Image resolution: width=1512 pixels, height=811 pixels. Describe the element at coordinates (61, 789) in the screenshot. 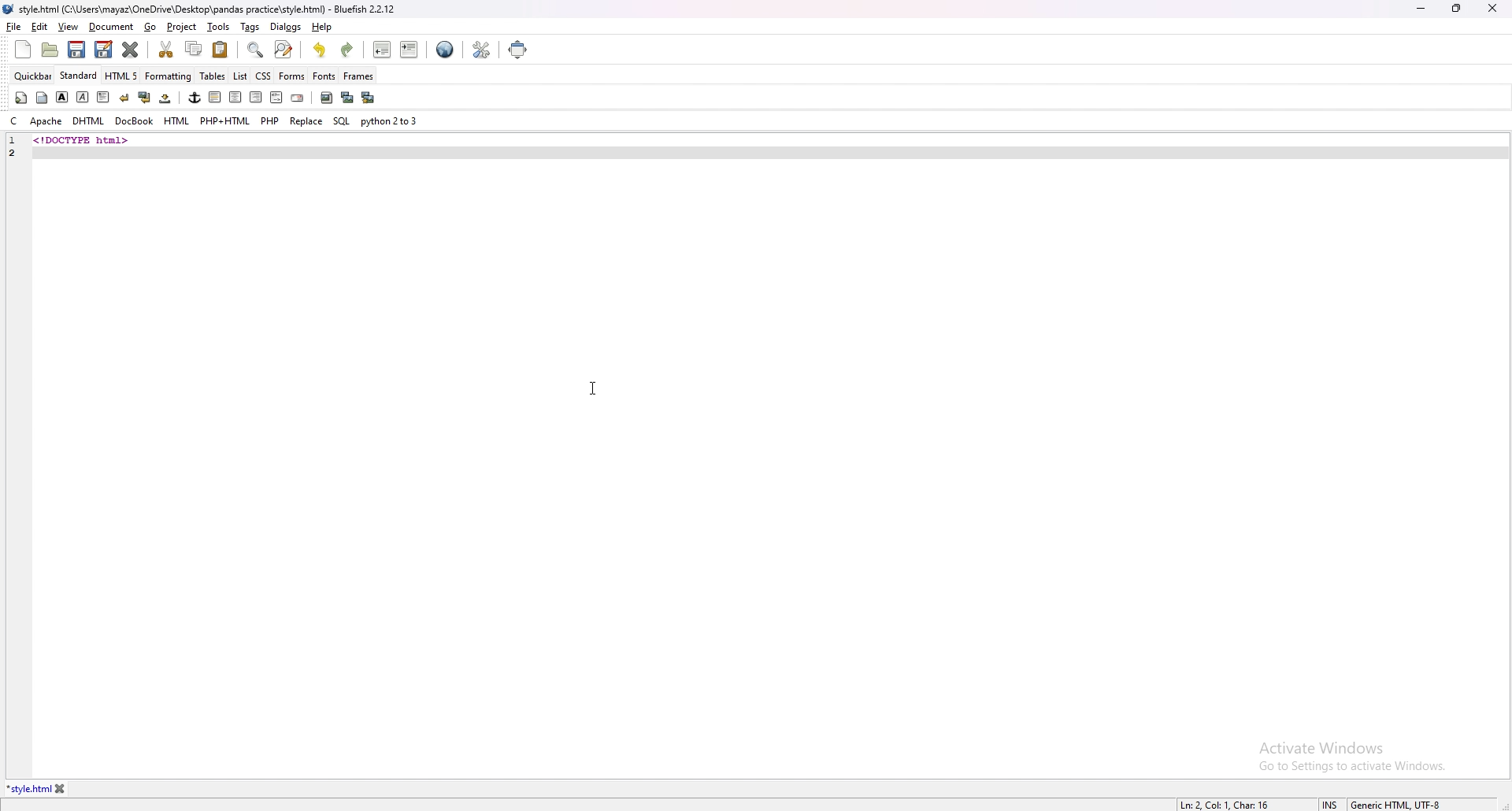

I see `close tab` at that location.